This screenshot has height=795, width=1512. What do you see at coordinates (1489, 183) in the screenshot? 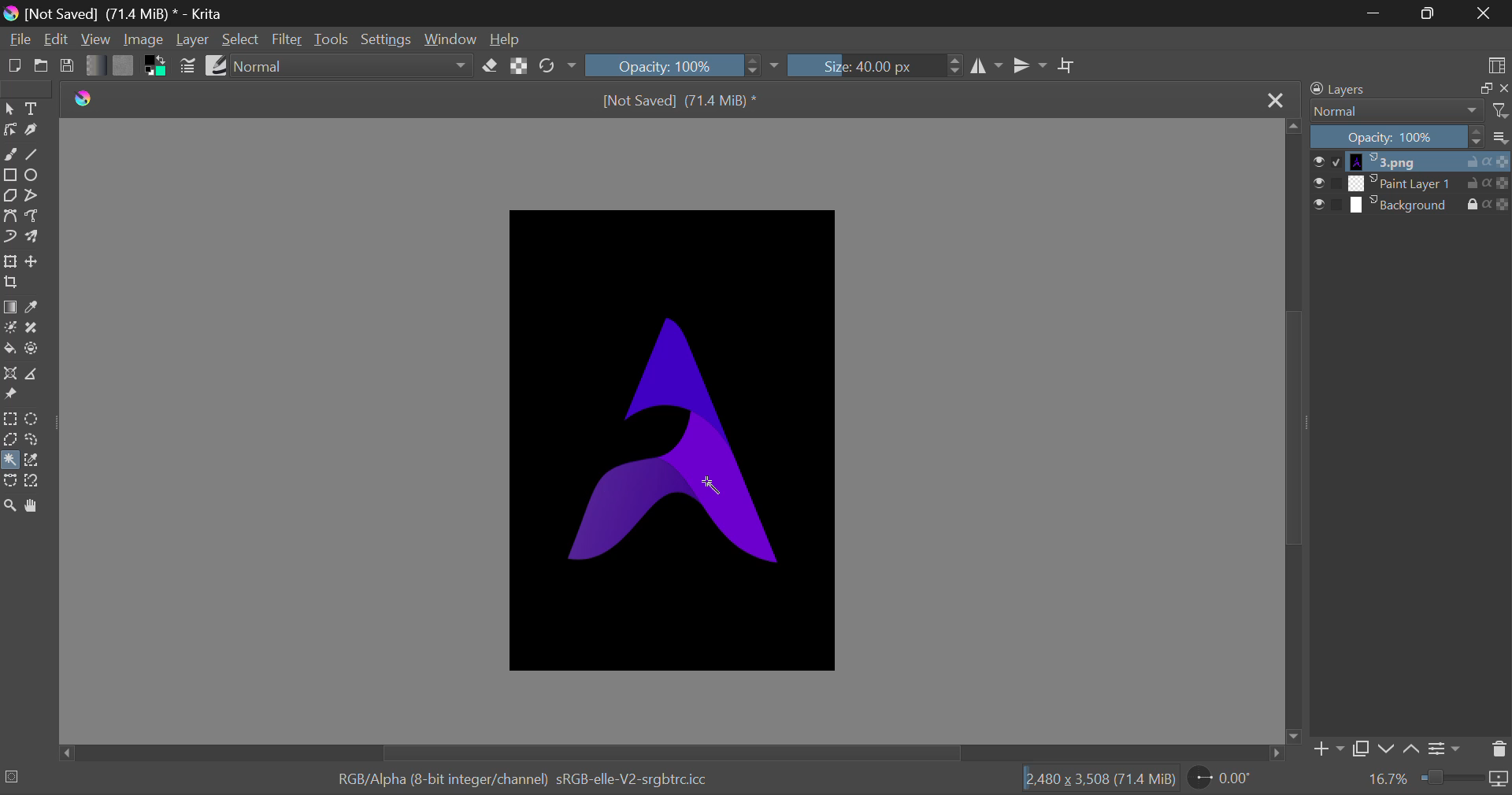
I see `actions` at bounding box center [1489, 183].